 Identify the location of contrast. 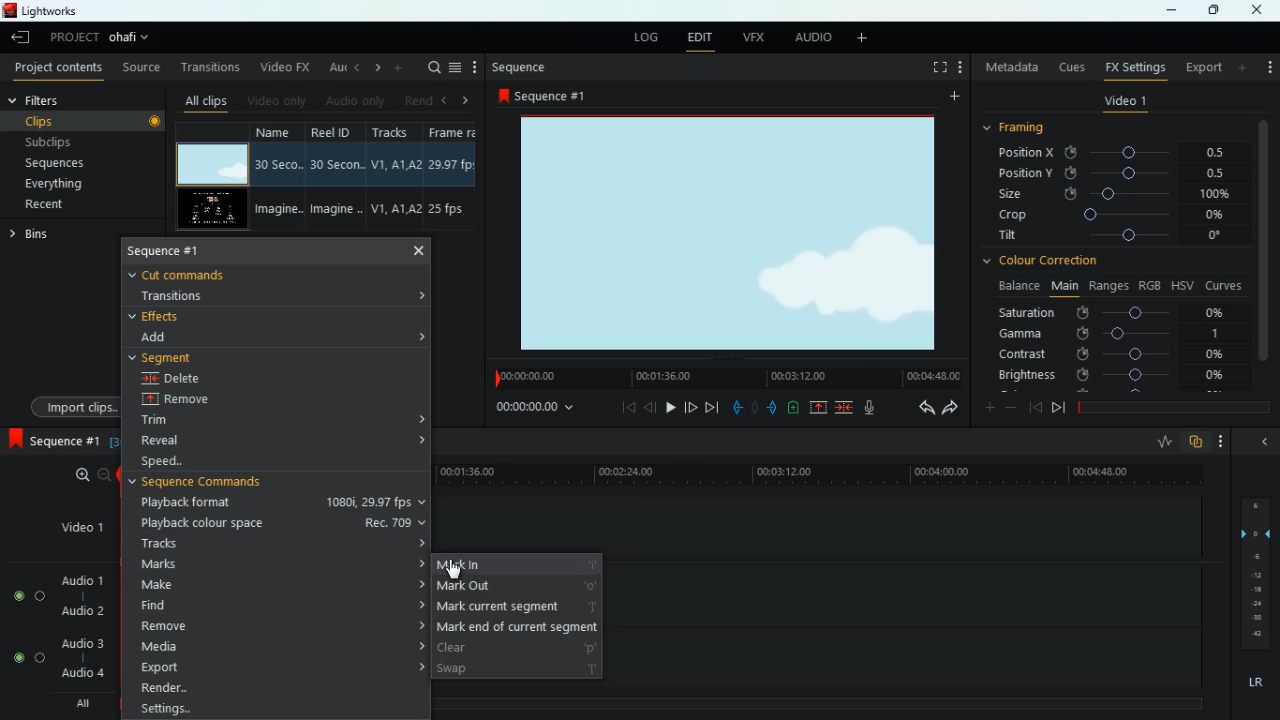
(1110, 355).